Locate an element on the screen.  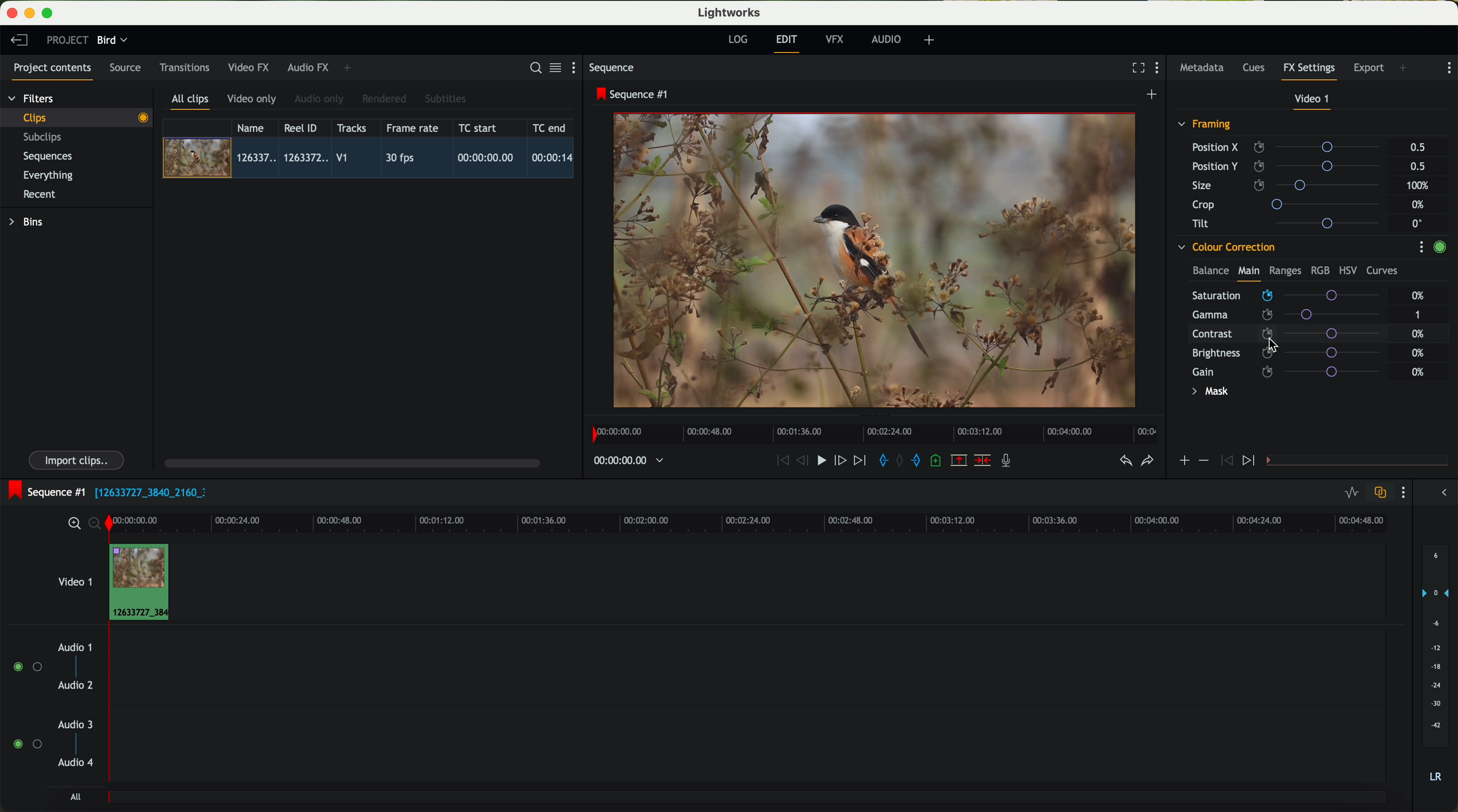
timeline is located at coordinates (623, 461).